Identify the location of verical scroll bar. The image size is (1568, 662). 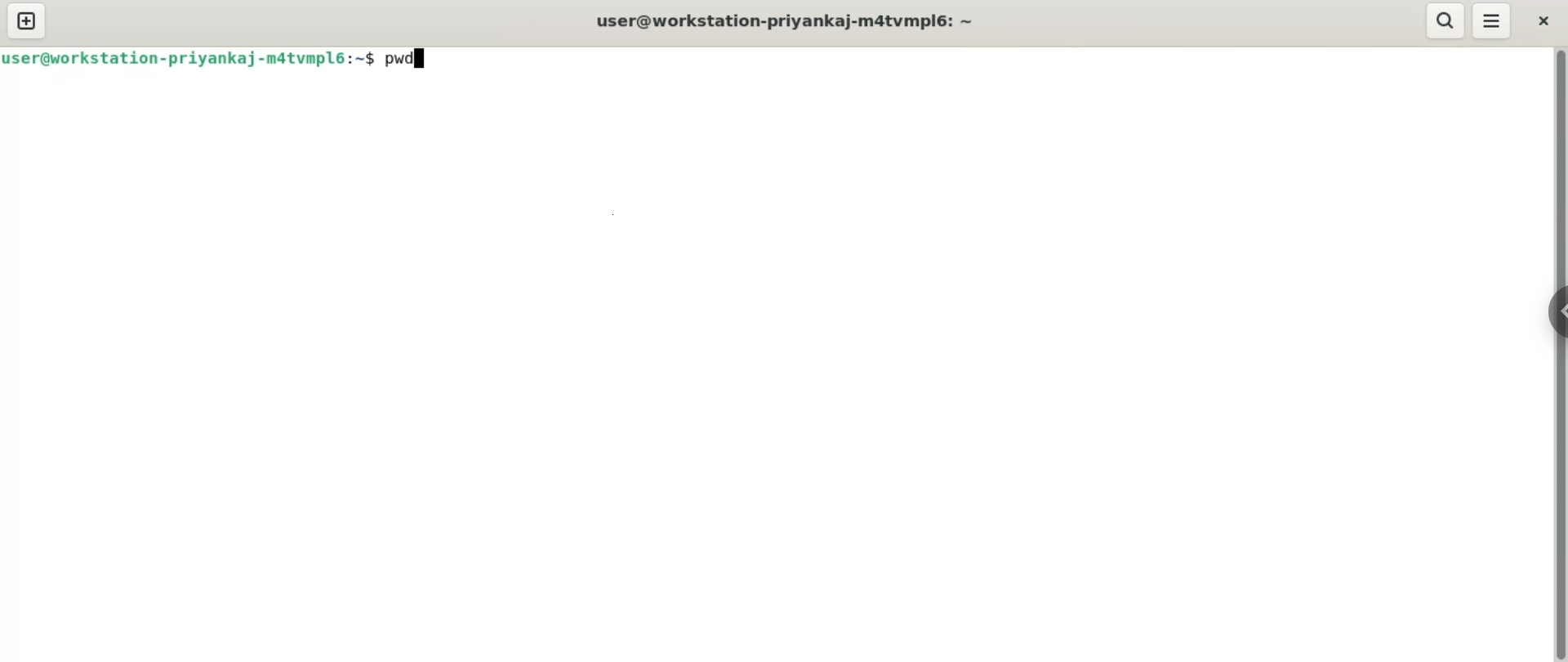
(1558, 353).